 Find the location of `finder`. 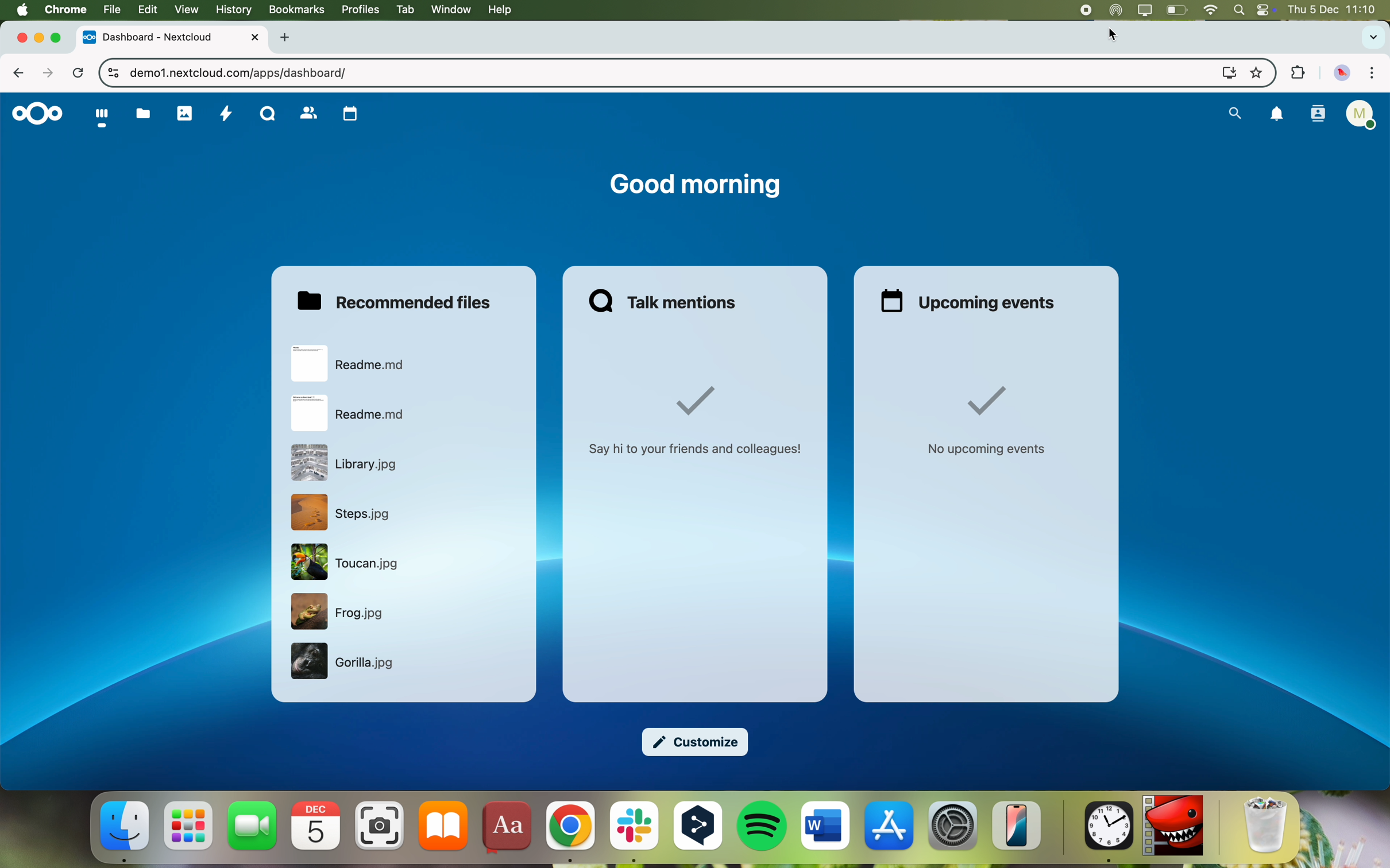

finder is located at coordinates (126, 831).